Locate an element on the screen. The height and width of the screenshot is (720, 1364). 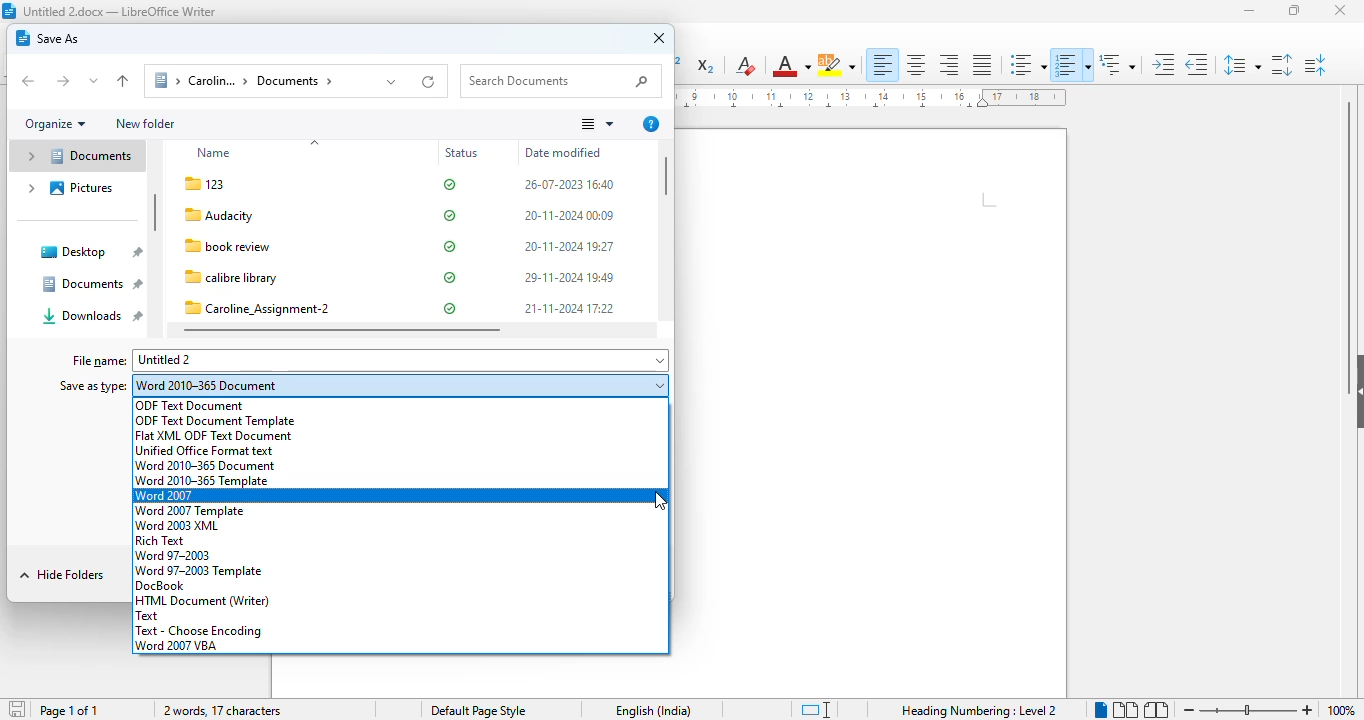
name is located at coordinates (217, 153).